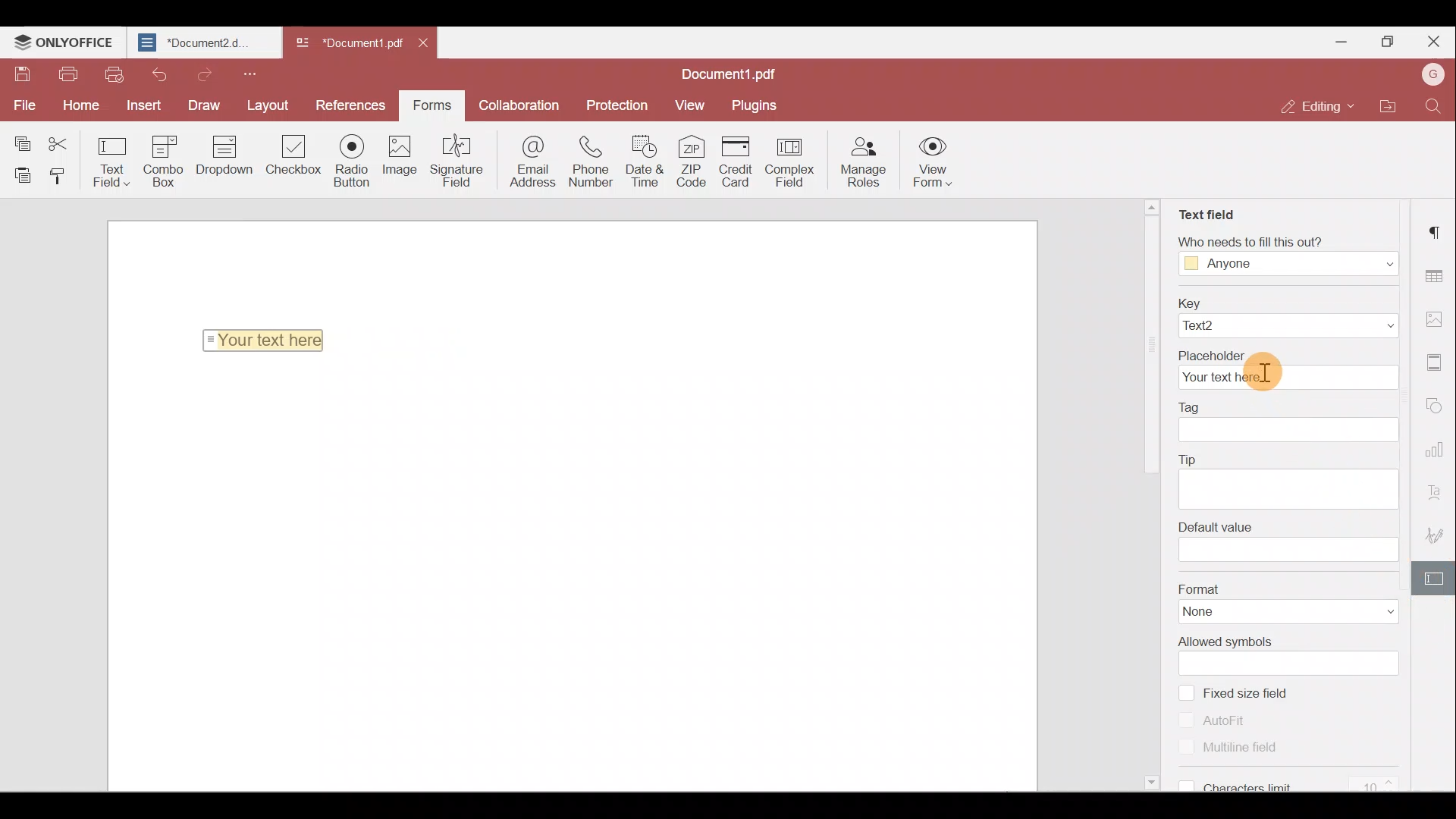 This screenshot has height=819, width=1456. What do you see at coordinates (347, 104) in the screenshot?
I see `References` at bounding box center [347, 104].